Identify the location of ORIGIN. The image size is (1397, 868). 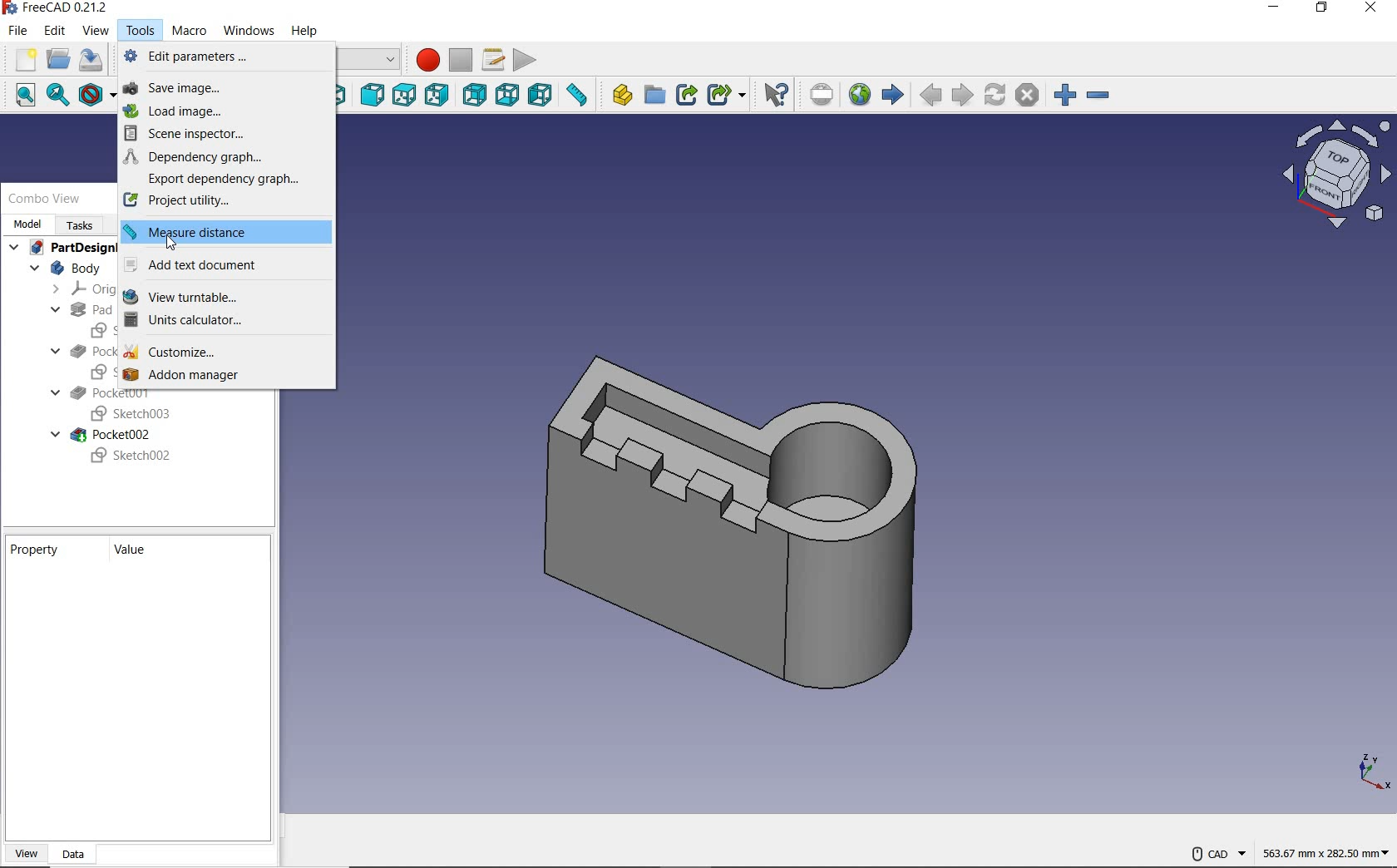
(76, 289).